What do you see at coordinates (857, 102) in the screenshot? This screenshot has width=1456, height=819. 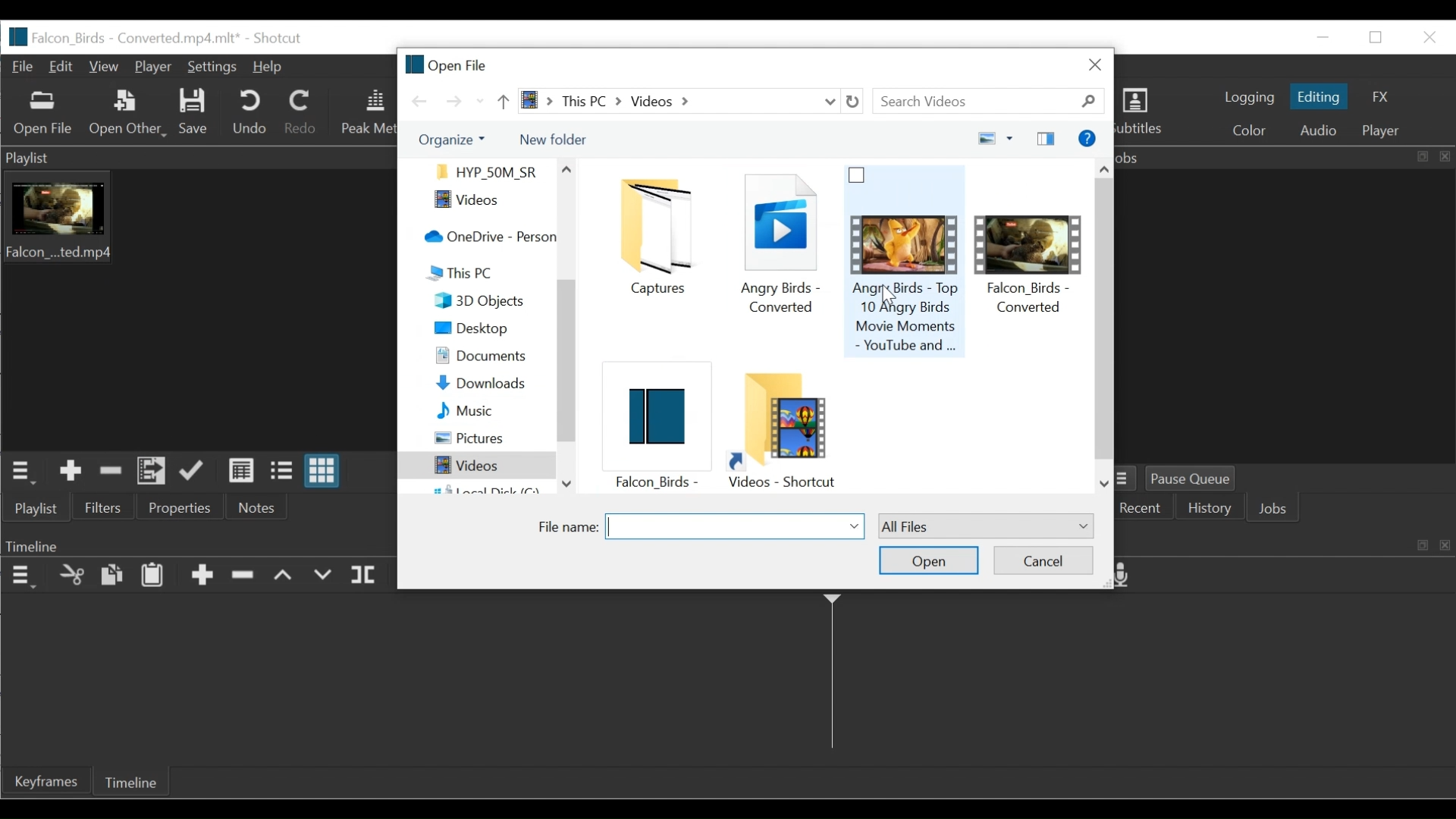 I see `Refresh` at bounding box center [857, 102].